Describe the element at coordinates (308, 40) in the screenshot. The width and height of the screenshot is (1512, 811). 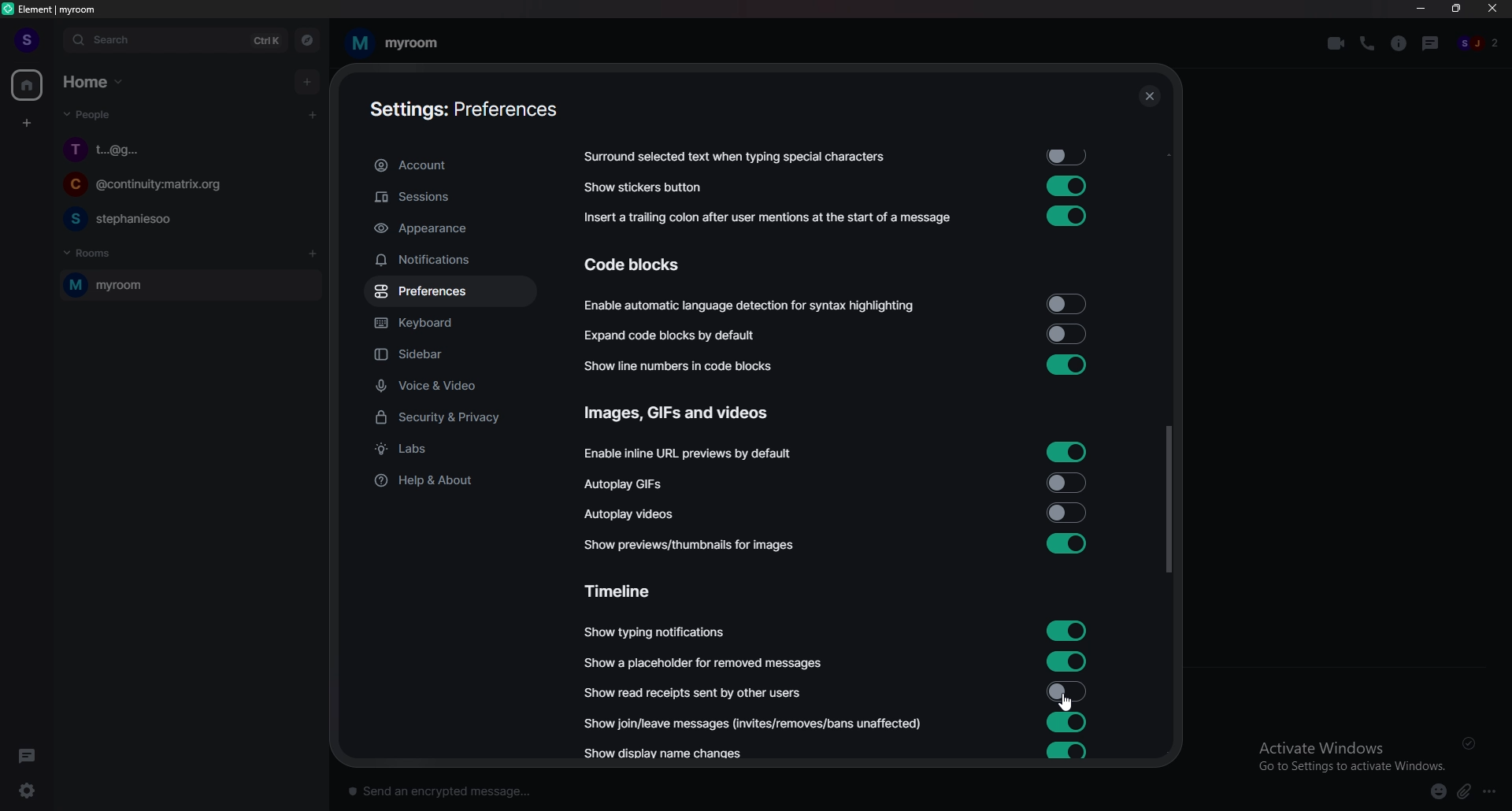
I see `explore room` at that location.